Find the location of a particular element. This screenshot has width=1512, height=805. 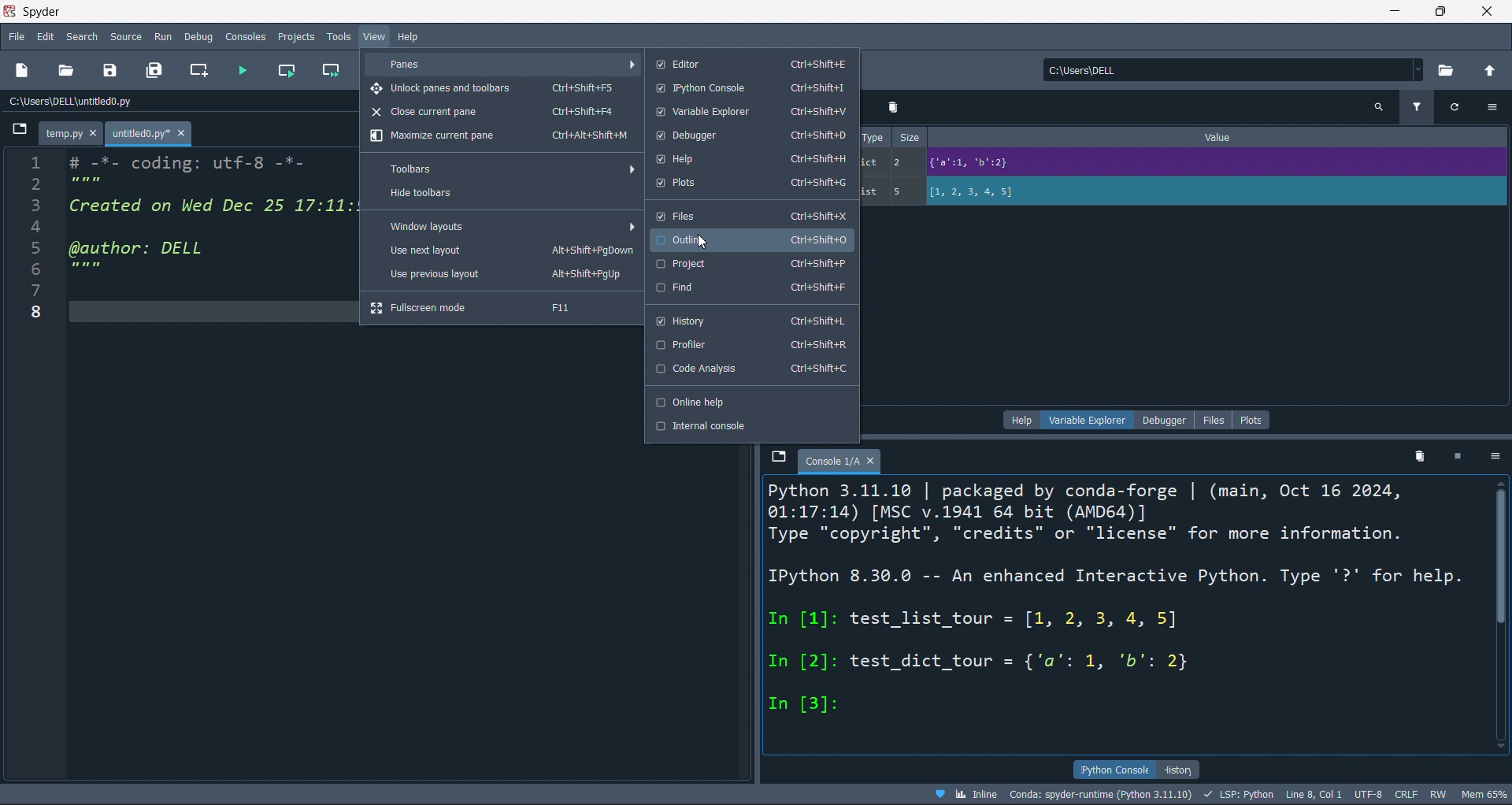

run is located at coordinates (161, 37).